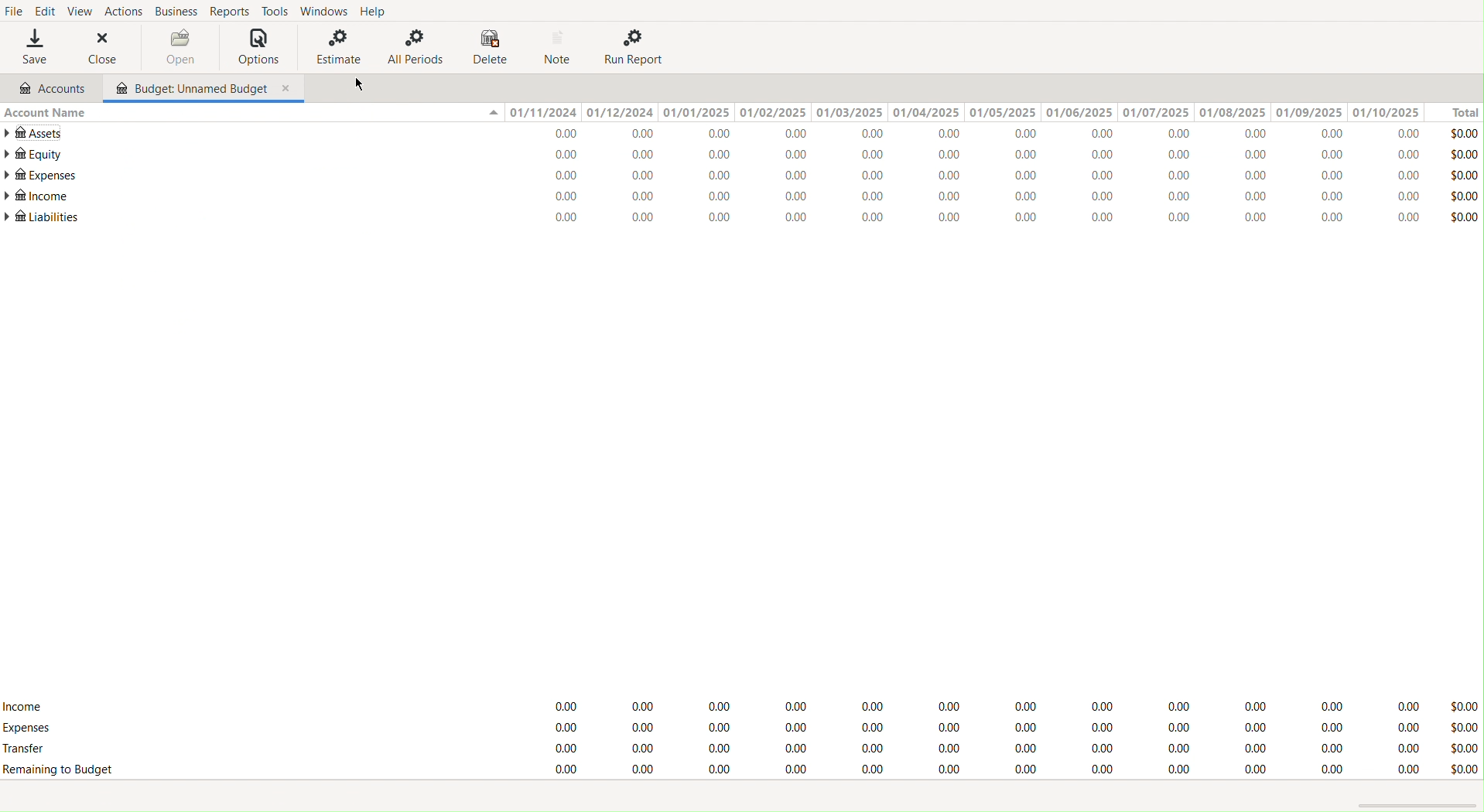 The height and width of the screenshot is (812, 1484). I want to click on Total Values, so click(1461, 178).